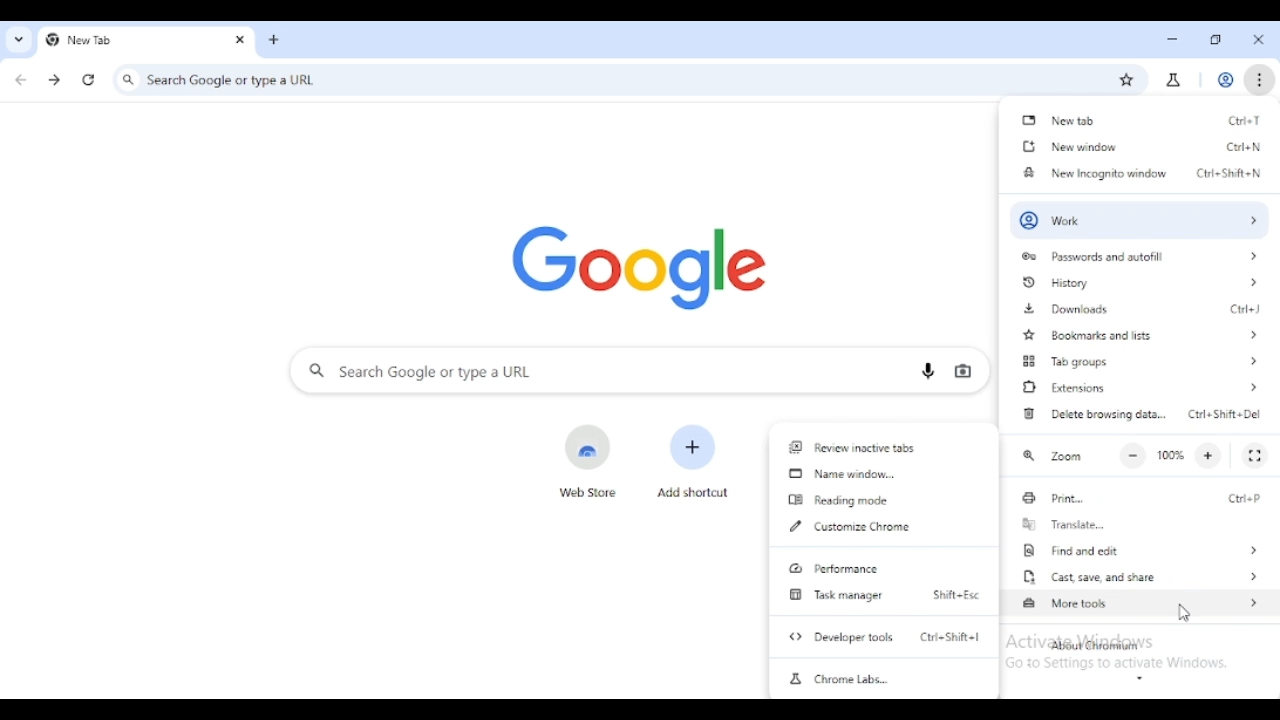  Describe the element at coordinates (1173, 40) in the screenshot. I see `minimize` at that location.